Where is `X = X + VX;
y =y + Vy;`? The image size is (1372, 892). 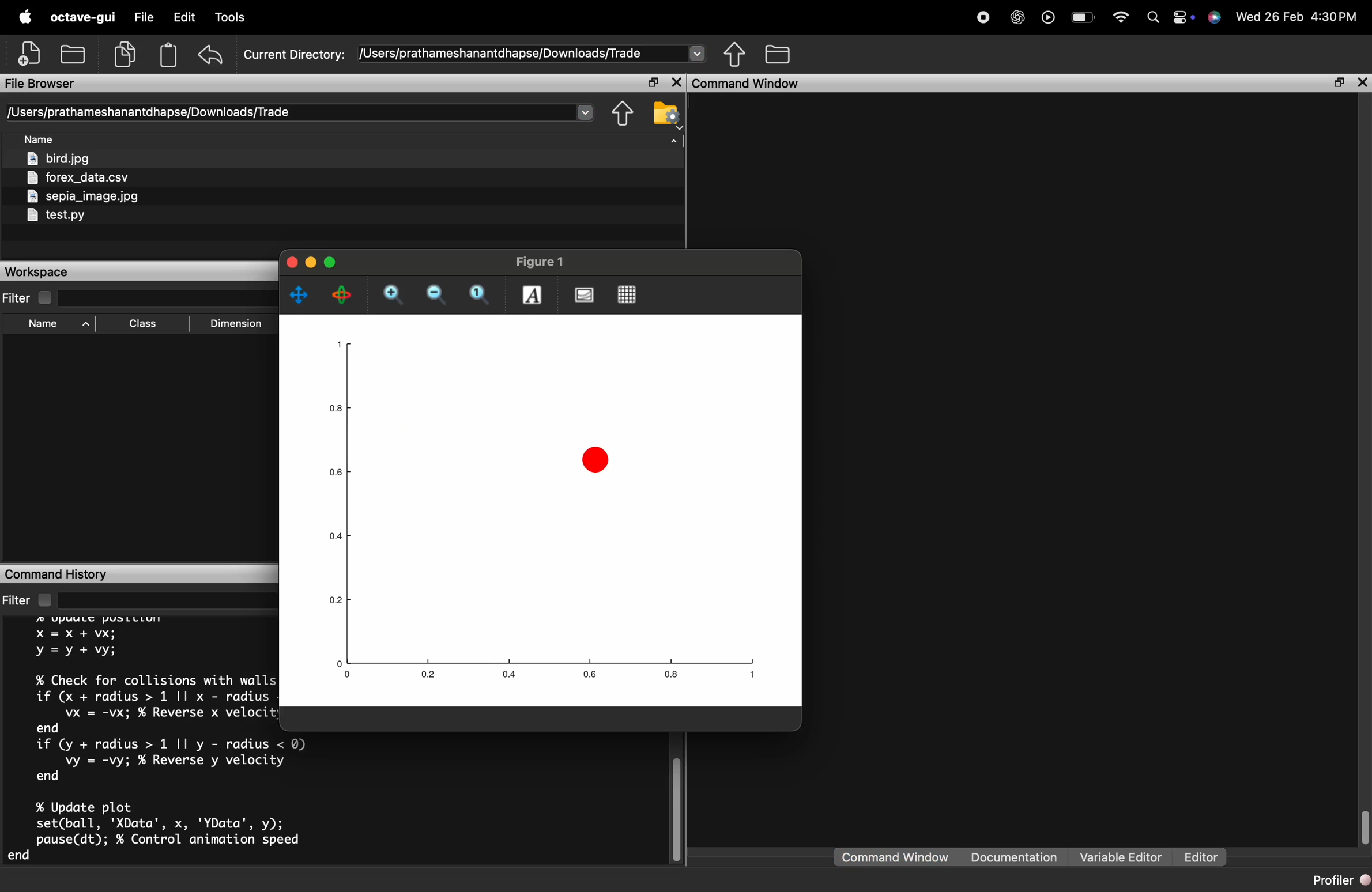
X = X + VX;
y =y + Vy; is located at coordinates (78, 642).